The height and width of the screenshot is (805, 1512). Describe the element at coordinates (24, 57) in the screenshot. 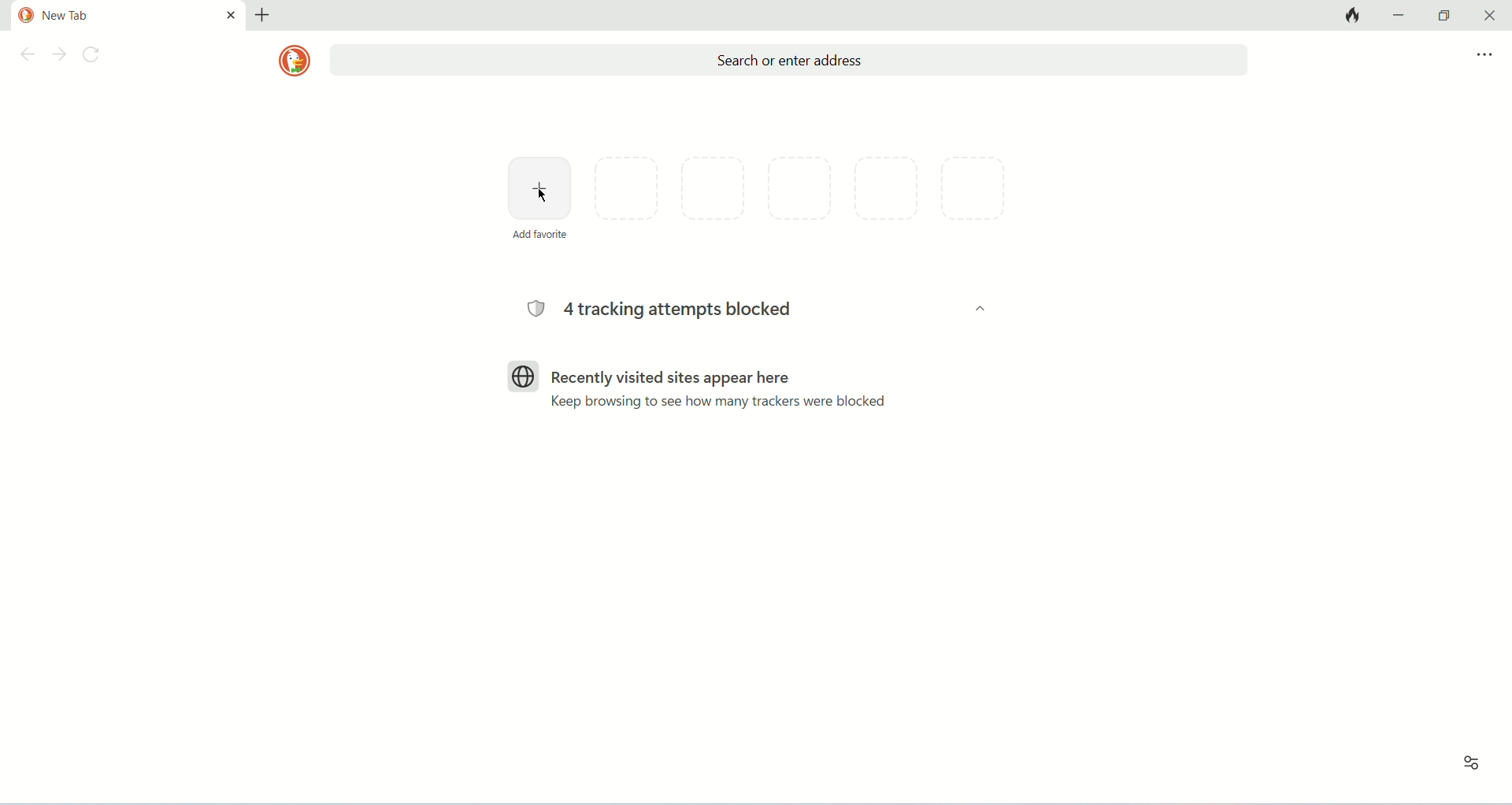

I see `go back` at that location.